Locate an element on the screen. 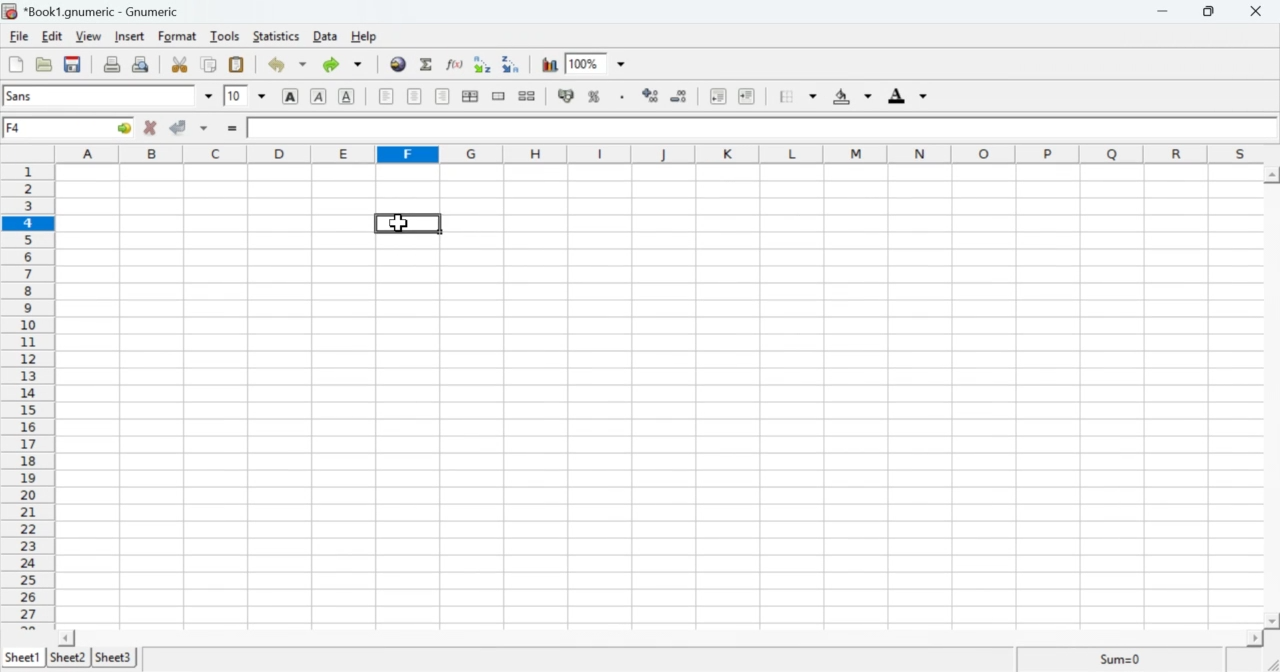 The image size is (1280, 672). Zoom is located at coordinates (583, 61).